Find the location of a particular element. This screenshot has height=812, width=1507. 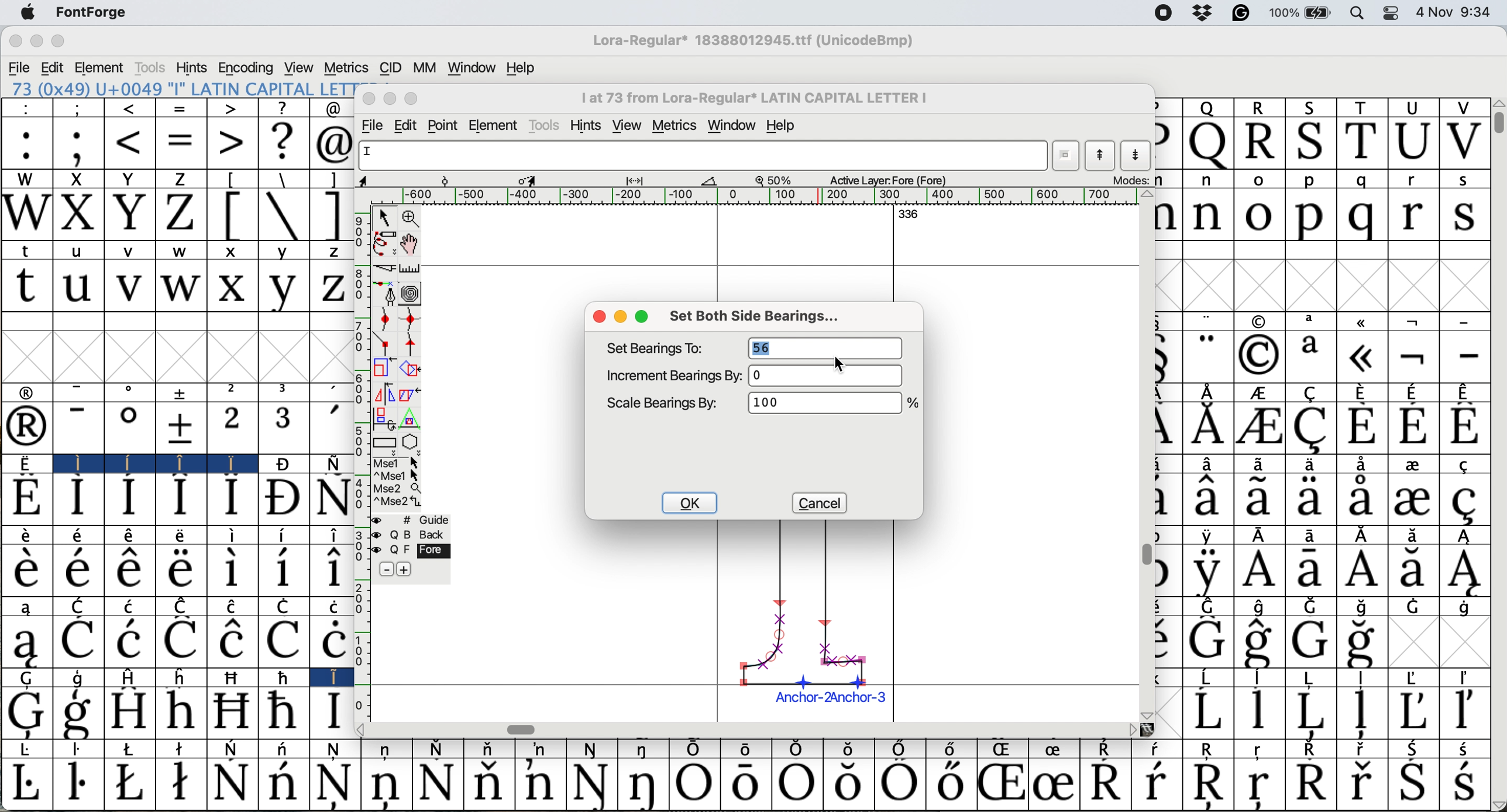

Symbol is located at coordinates (132, 605).